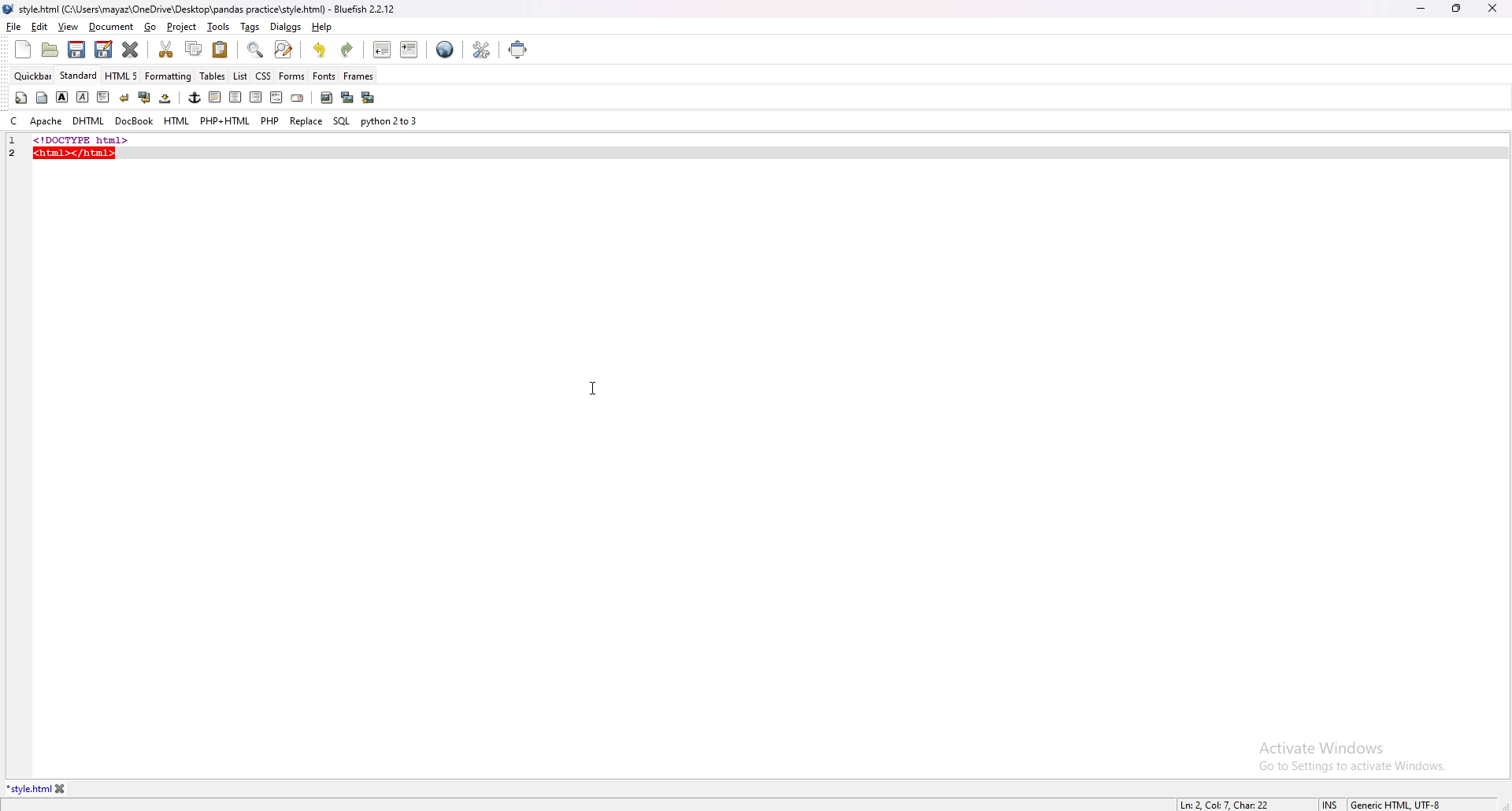 This screenshot has height=811, width=1512. What do you see at coordinates (292, 75) in the screenshot?
I see `forms` at bounding box center [292, 75].